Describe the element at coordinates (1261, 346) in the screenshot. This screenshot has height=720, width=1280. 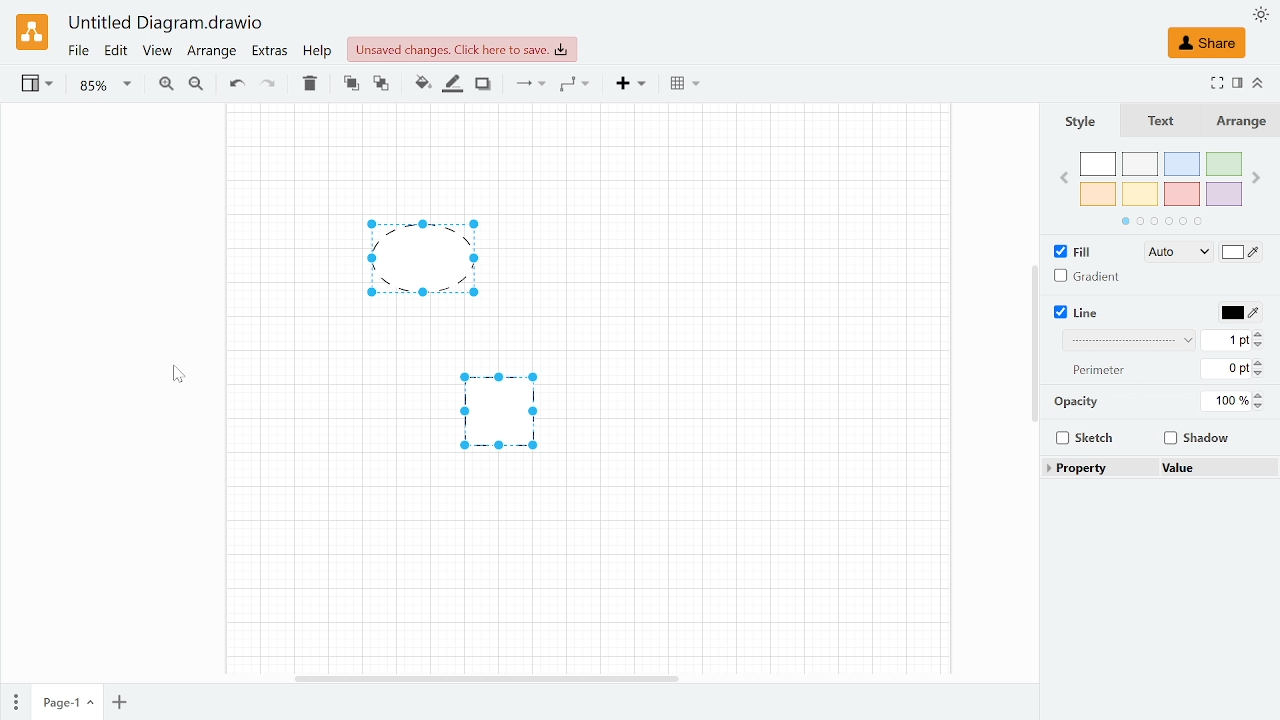
I see `Decrease linewidth` at that location.